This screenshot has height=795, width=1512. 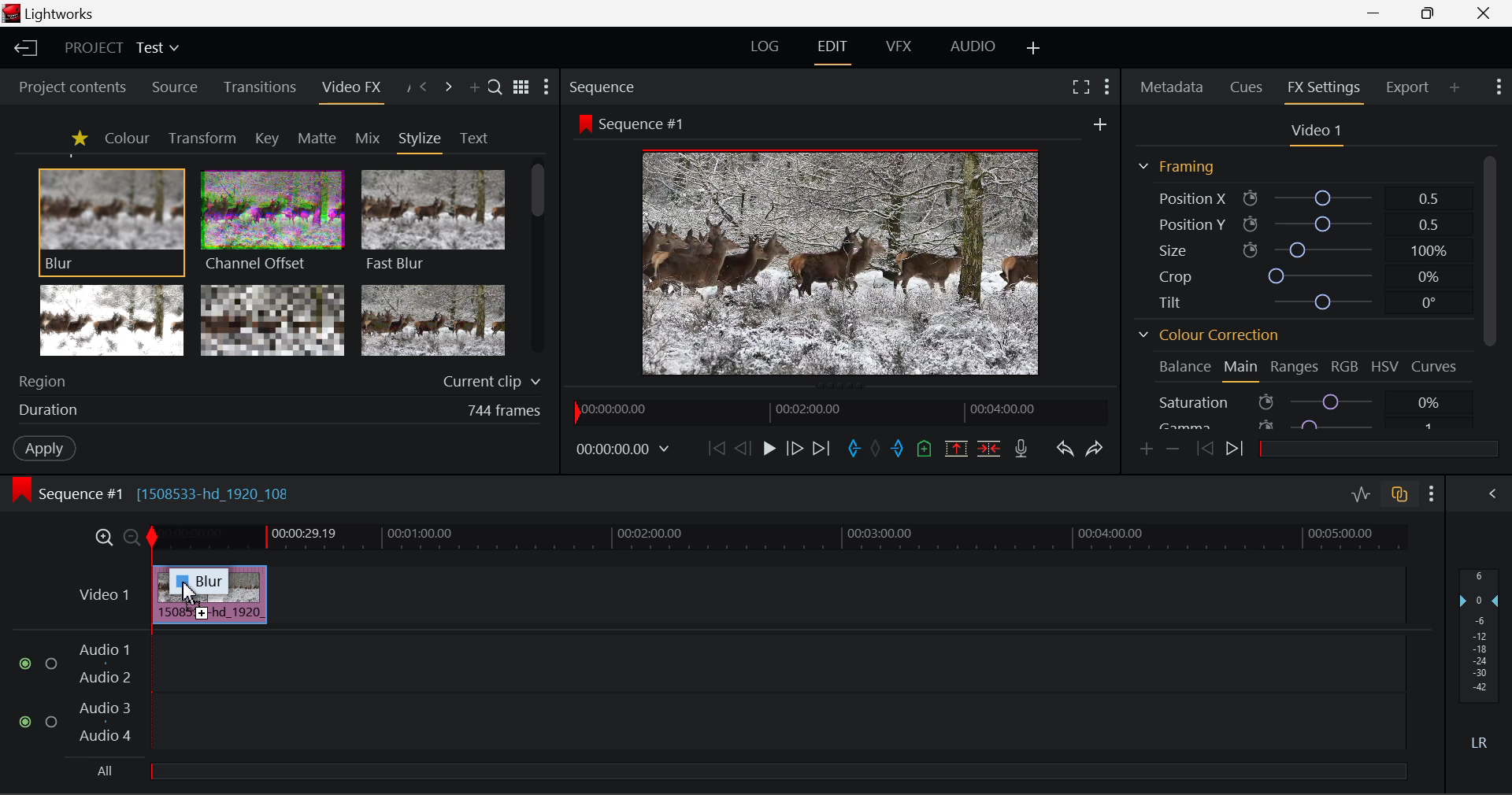 I want to click on Favourites, so click(x=77, y=138).